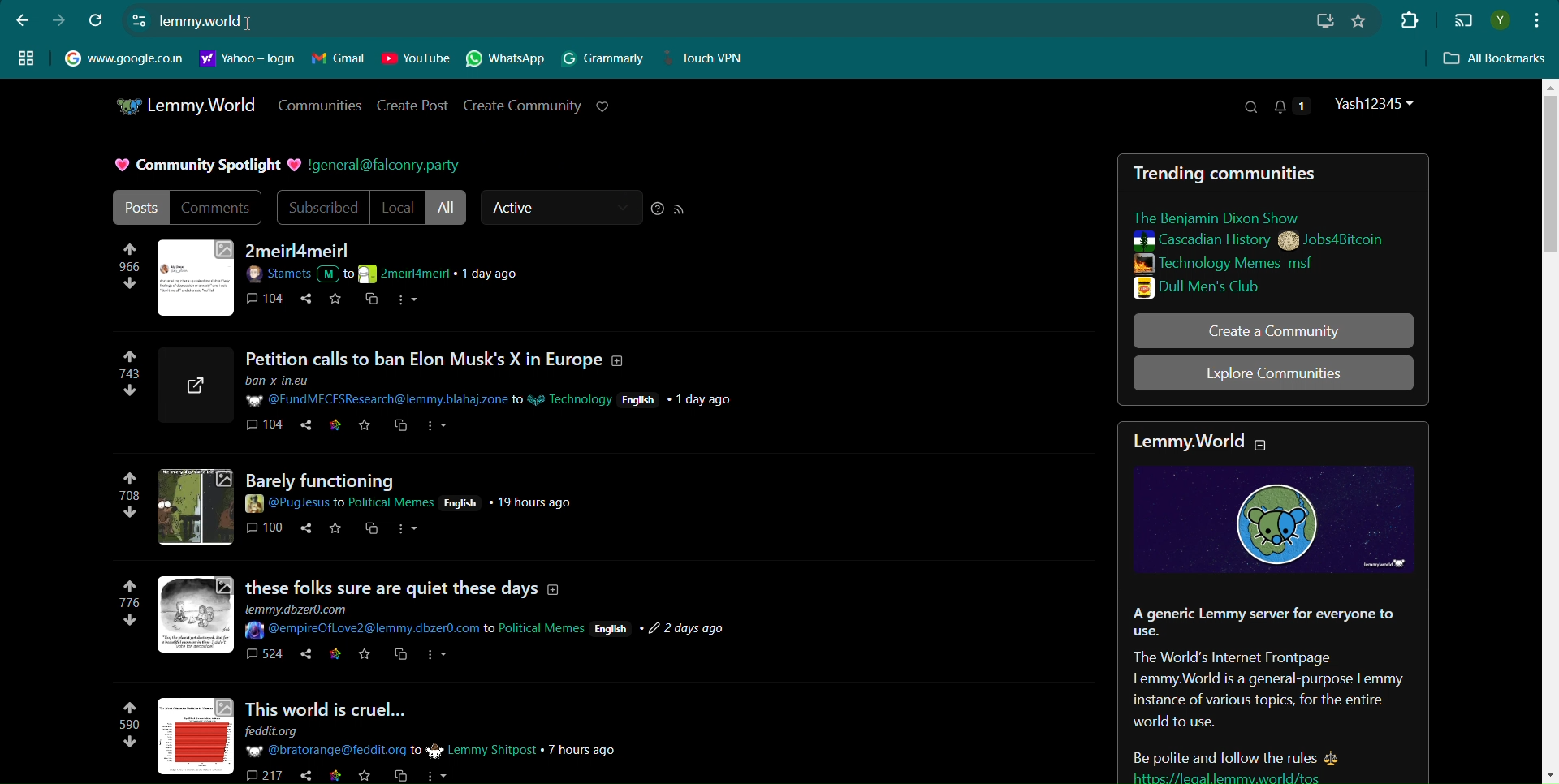  What do you see at coordinates (123, 730) in the screenshot?
I see `590` at bounding box center [123, 730].